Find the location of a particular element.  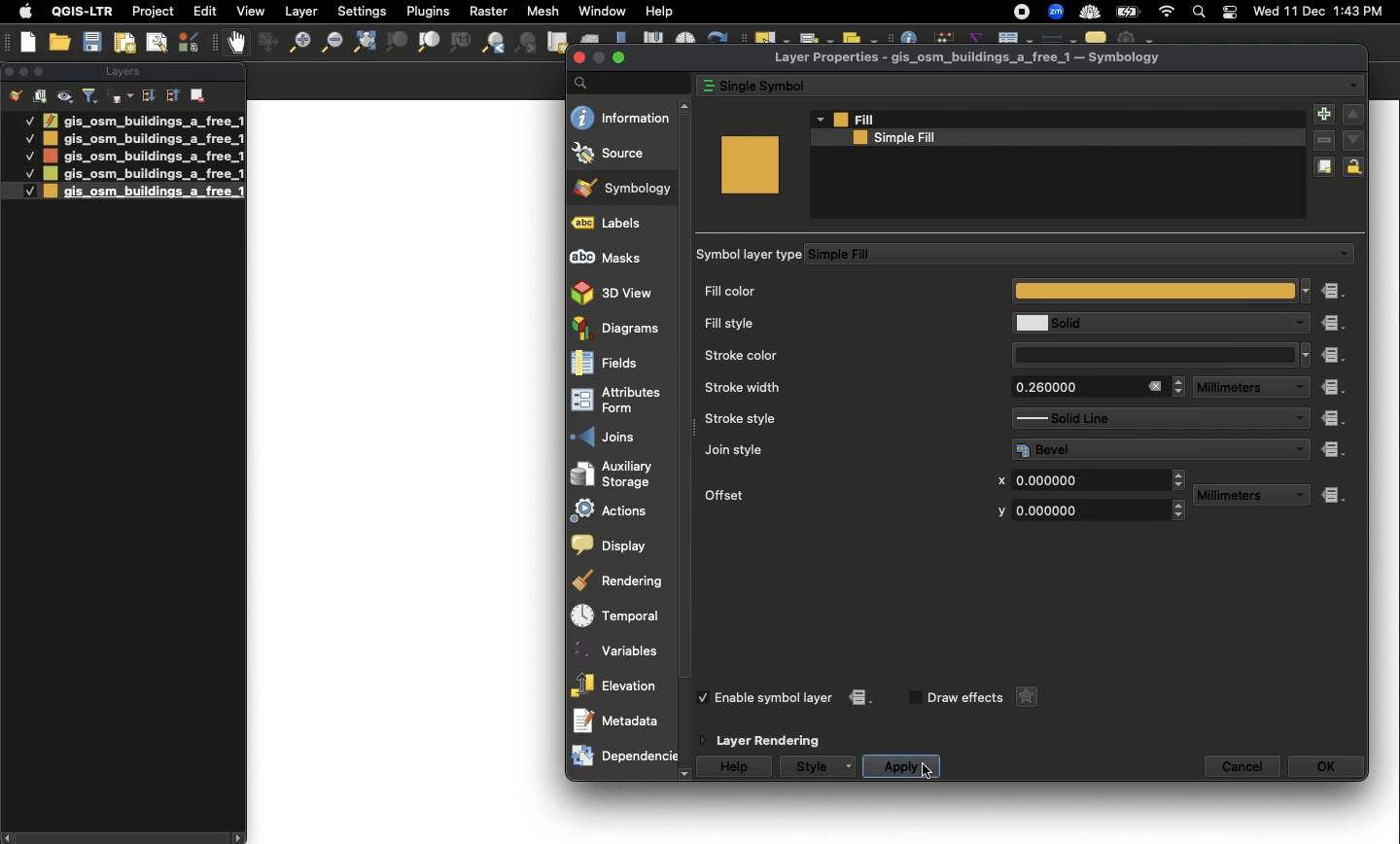

Drop down is located at coordinates (1307, 290).